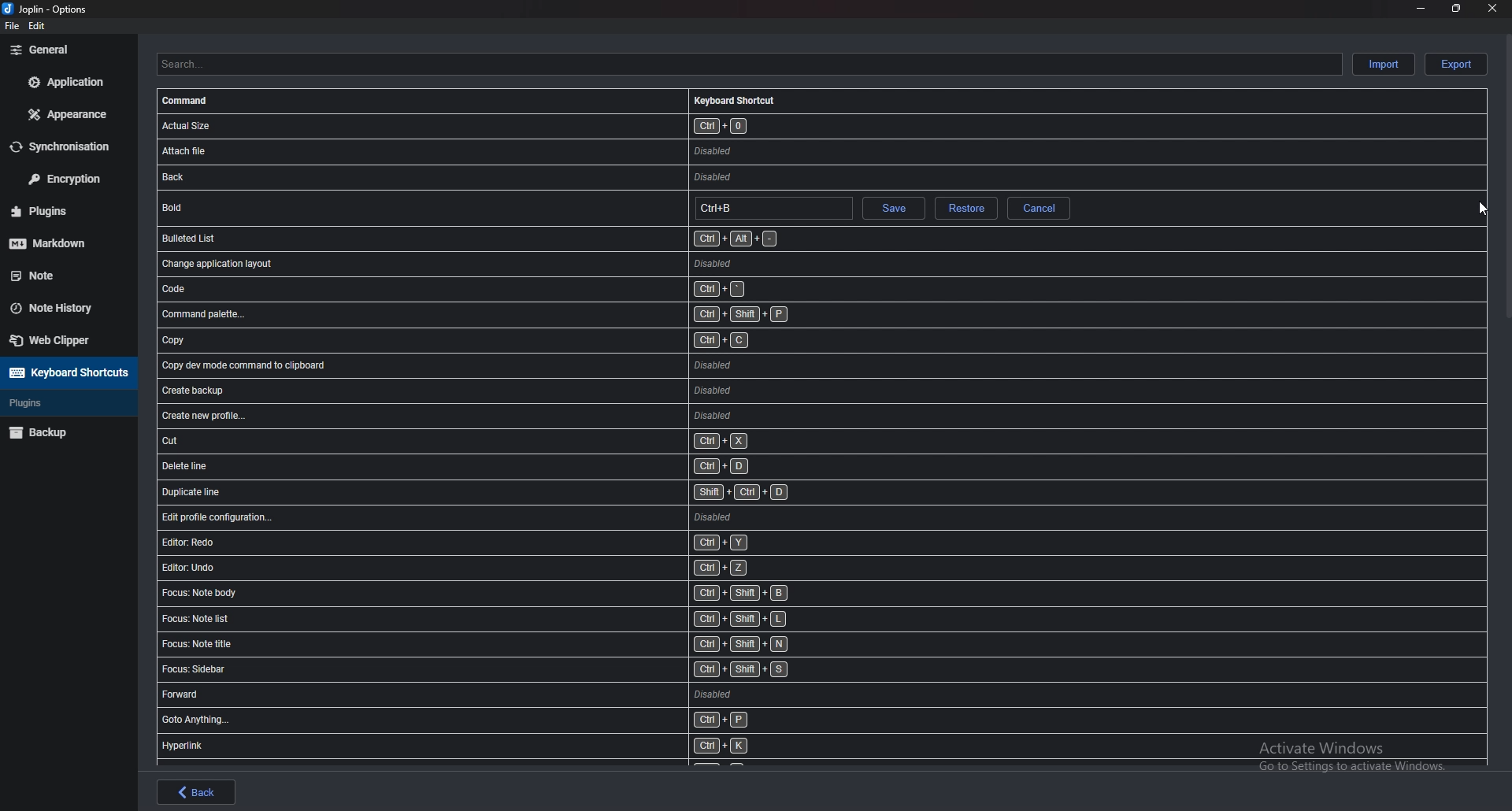  Describe the element at coordinates (65, 114) in the screenshot. I see `Appearance` at that location.